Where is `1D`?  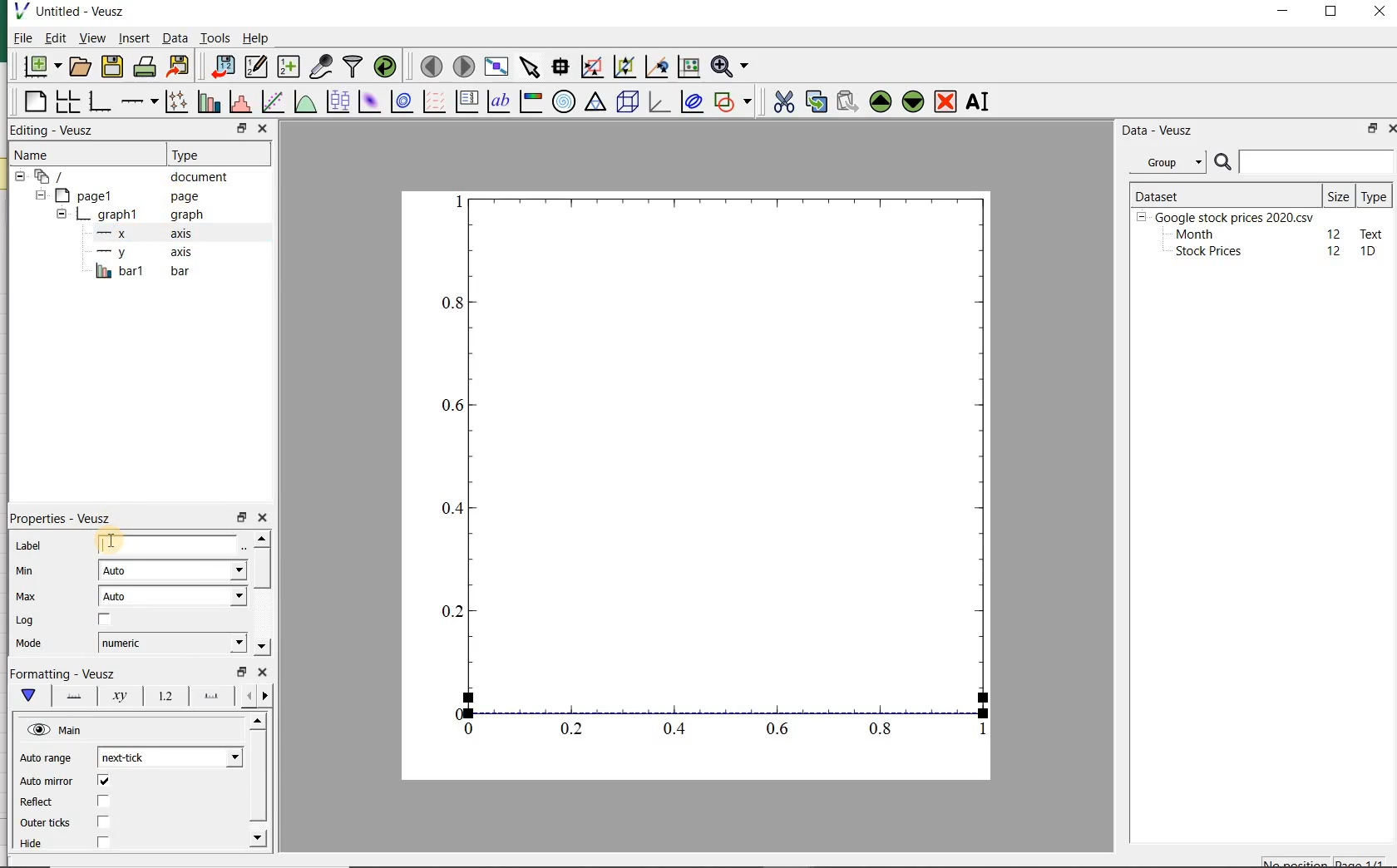
1D is located at coordinates (1370, 252).